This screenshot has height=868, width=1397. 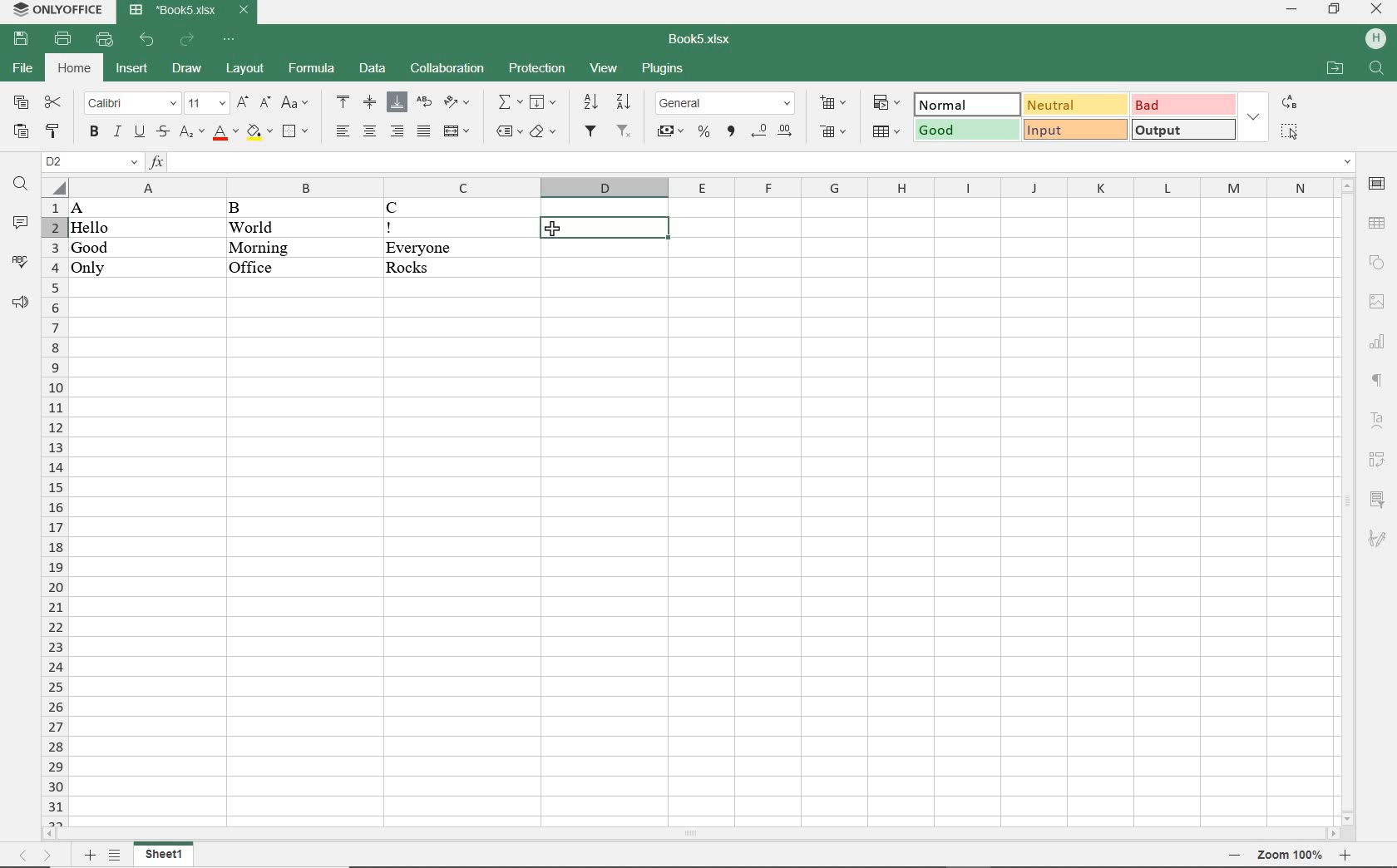 I want to click on sort ascending, so click(x=590, y=103).